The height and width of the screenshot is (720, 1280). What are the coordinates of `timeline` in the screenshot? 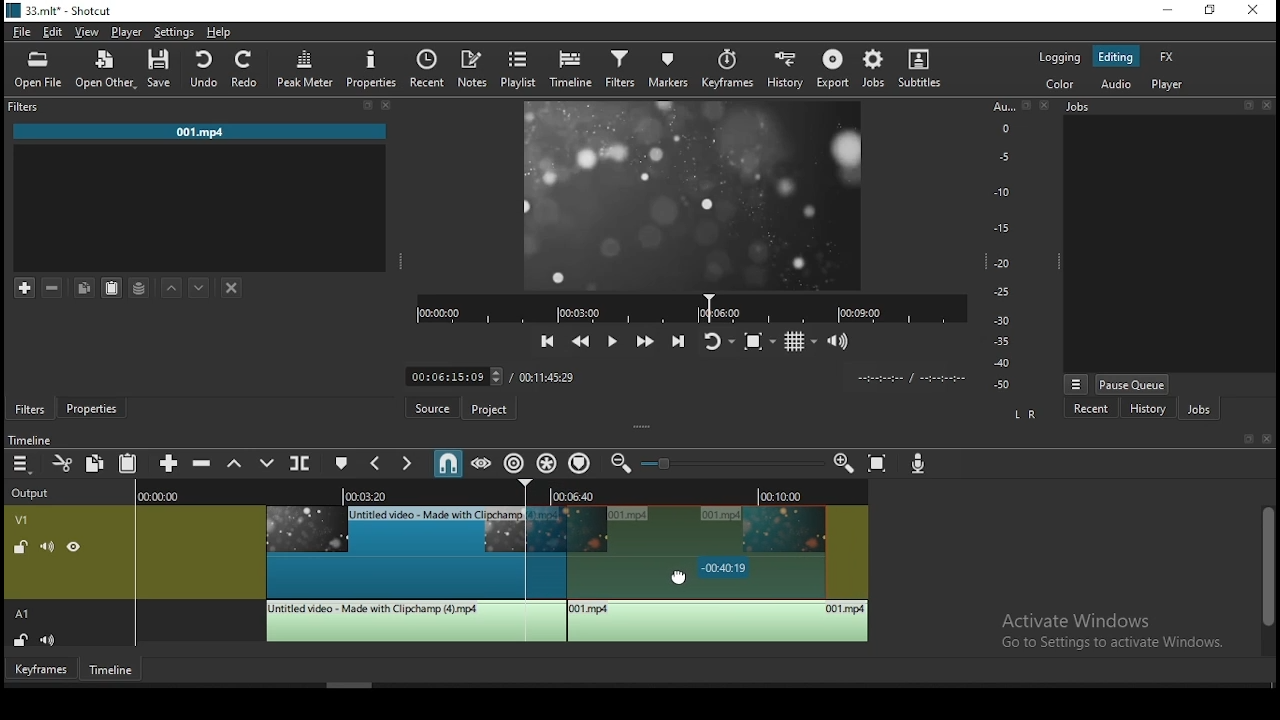 It's located at (574, 69).